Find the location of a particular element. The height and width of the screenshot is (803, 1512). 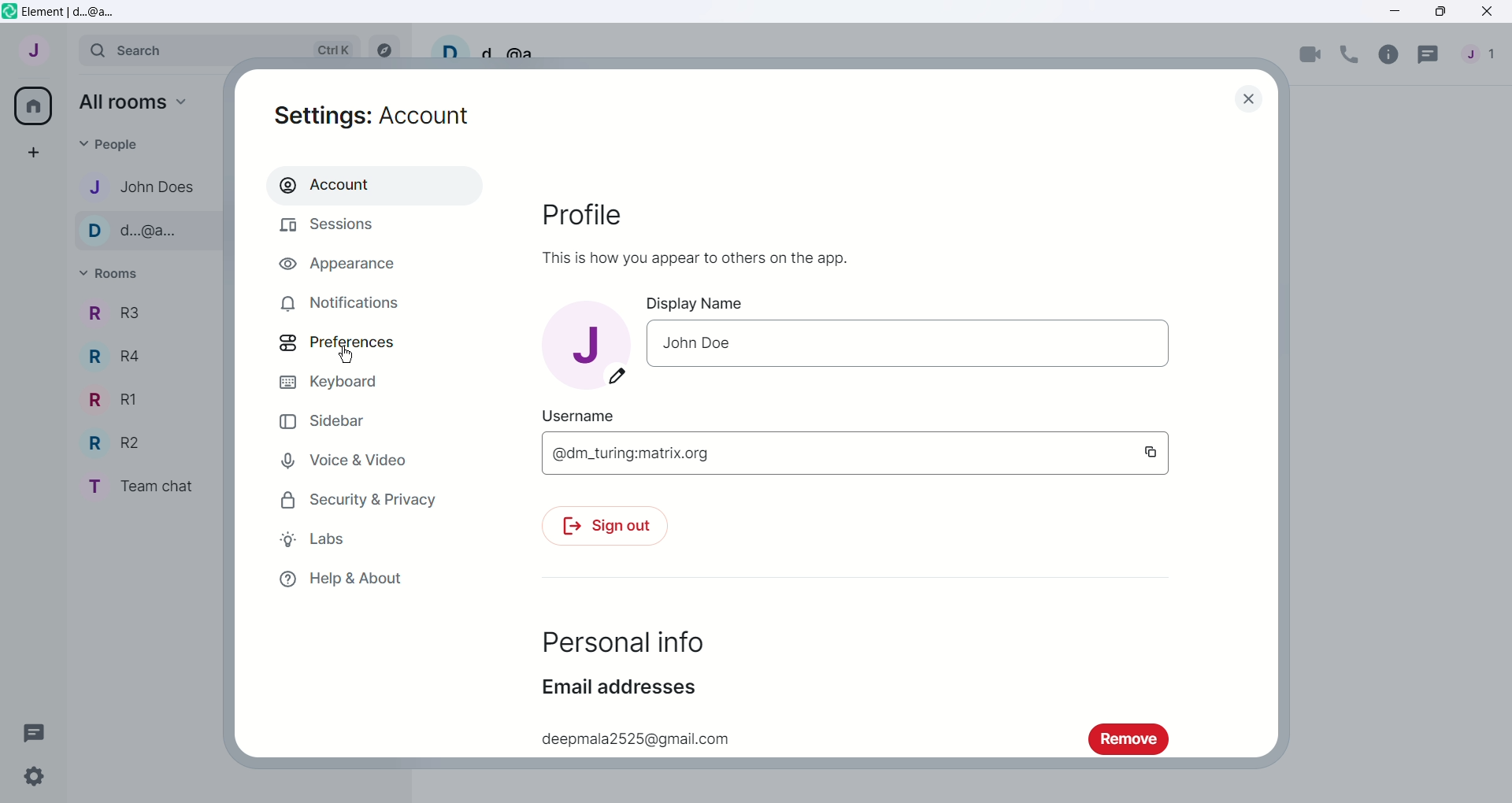

Remove is located at coordinates (1126, 740).